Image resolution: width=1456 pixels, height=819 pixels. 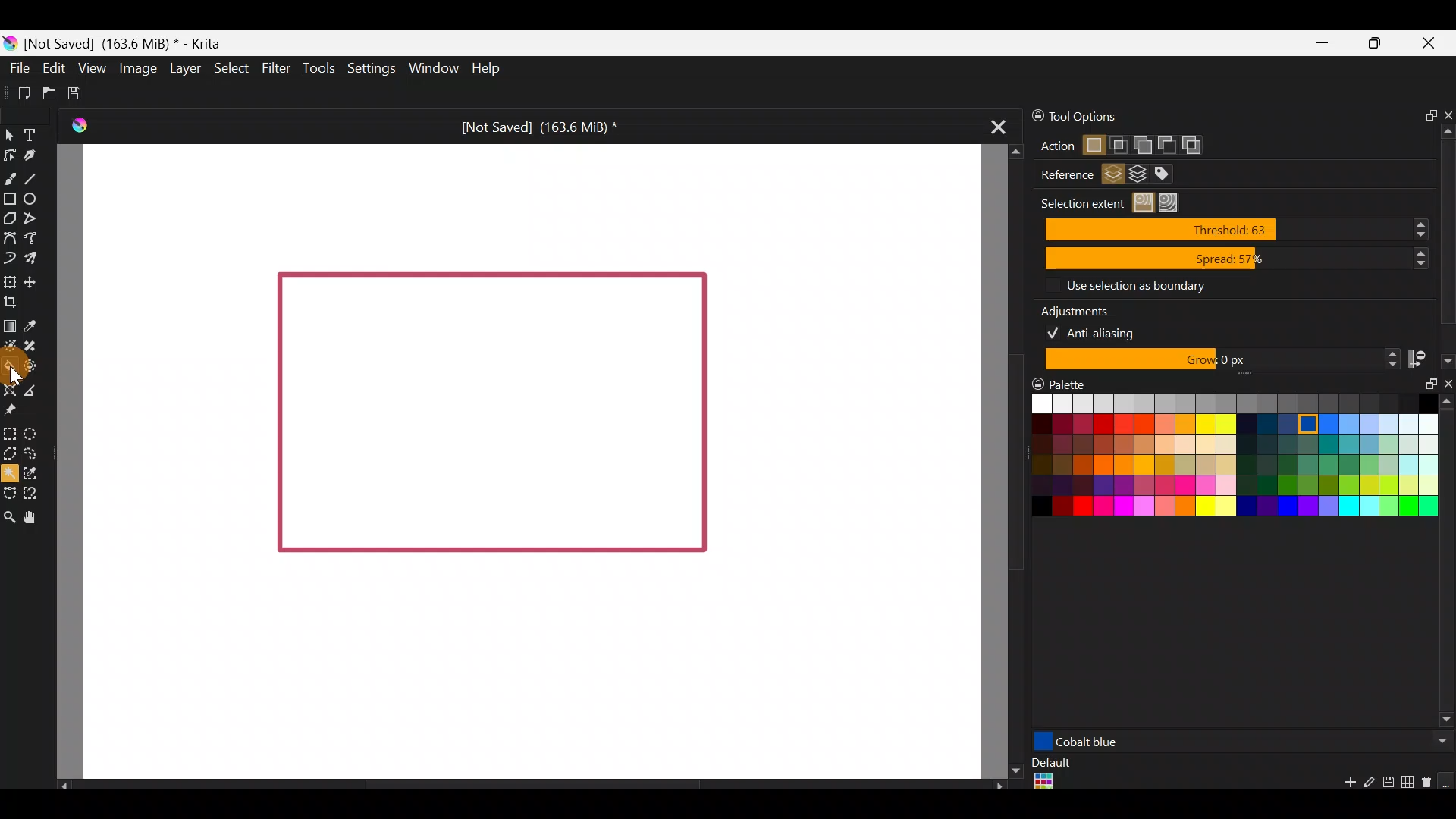 What do you see at coordinates (10, 326) in the screenshot?
I see `Draw a gradient` at bounding box center [10, 326].